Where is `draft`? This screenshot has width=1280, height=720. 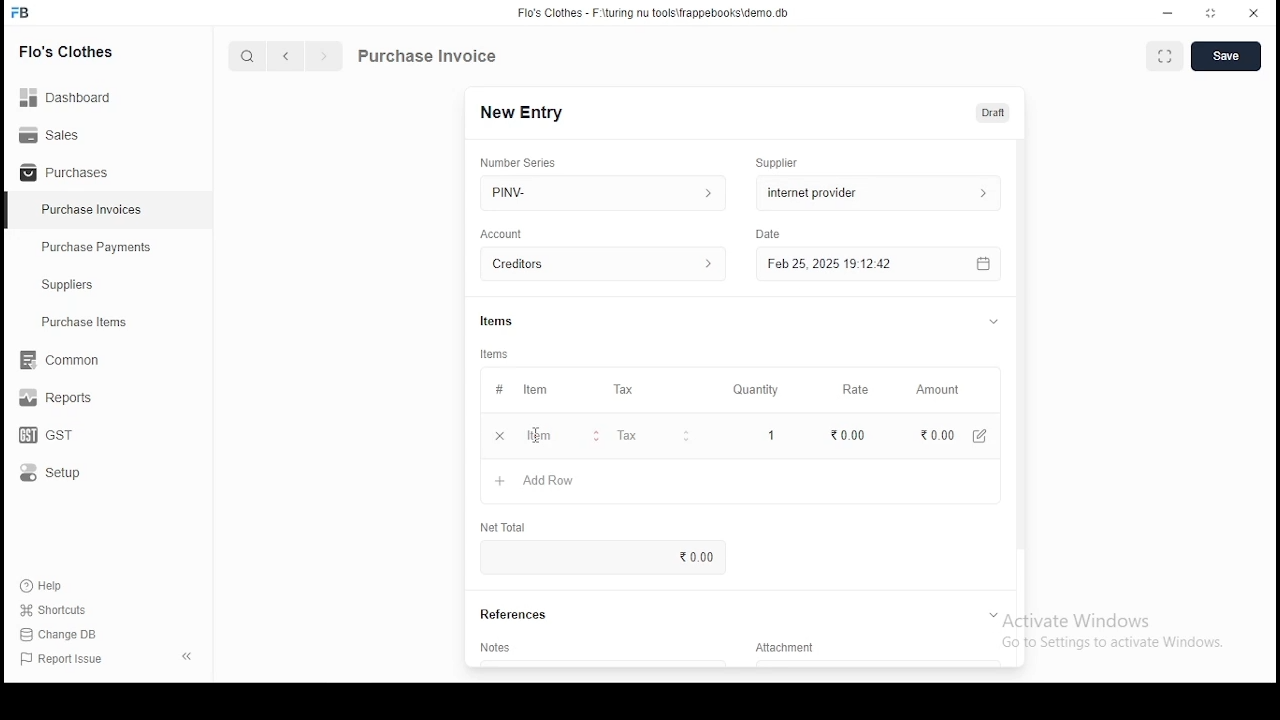 draft is located at coordinates (993, 112).